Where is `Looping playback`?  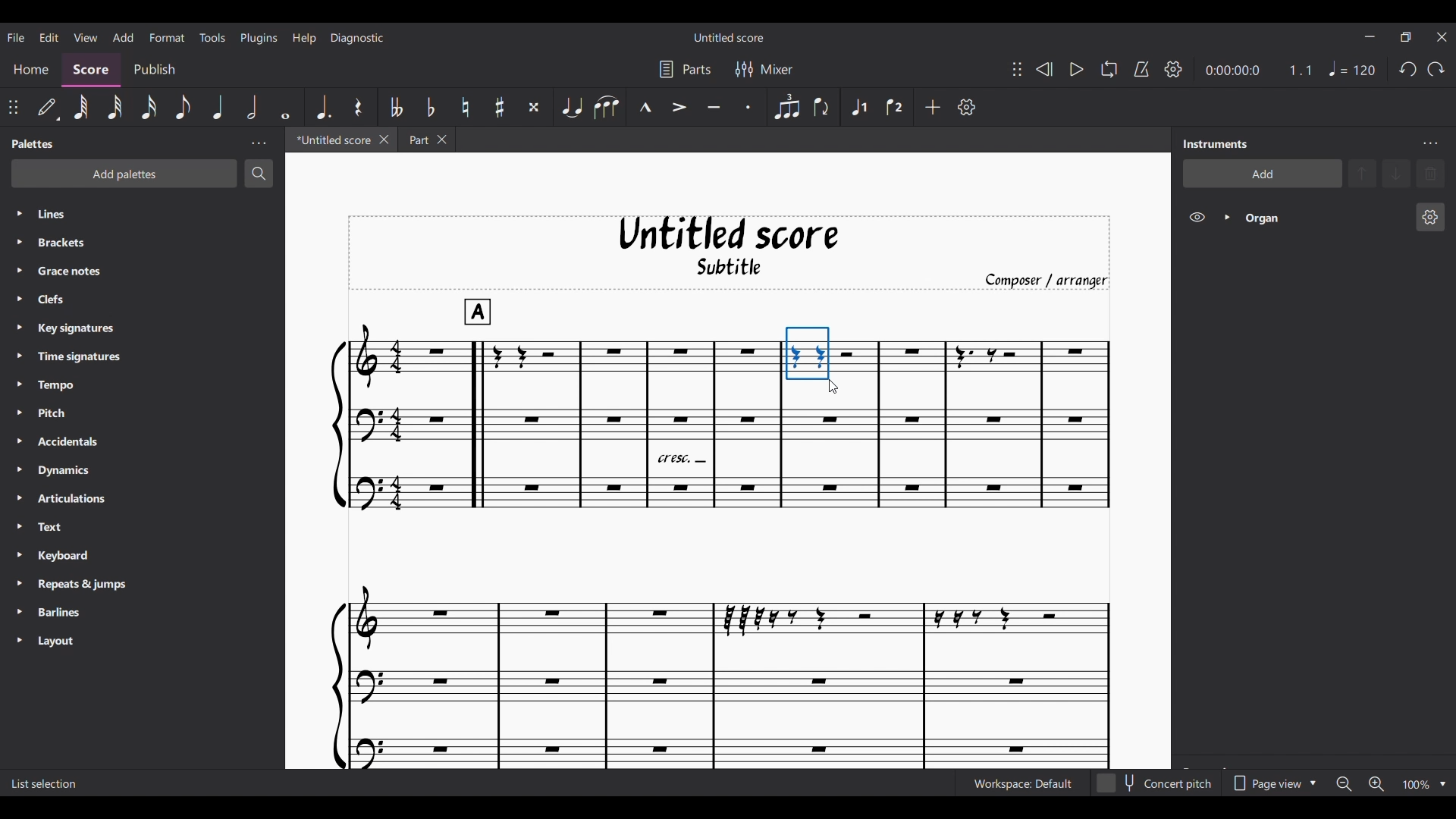 Looping playback is located at coordinates (1109, 69).